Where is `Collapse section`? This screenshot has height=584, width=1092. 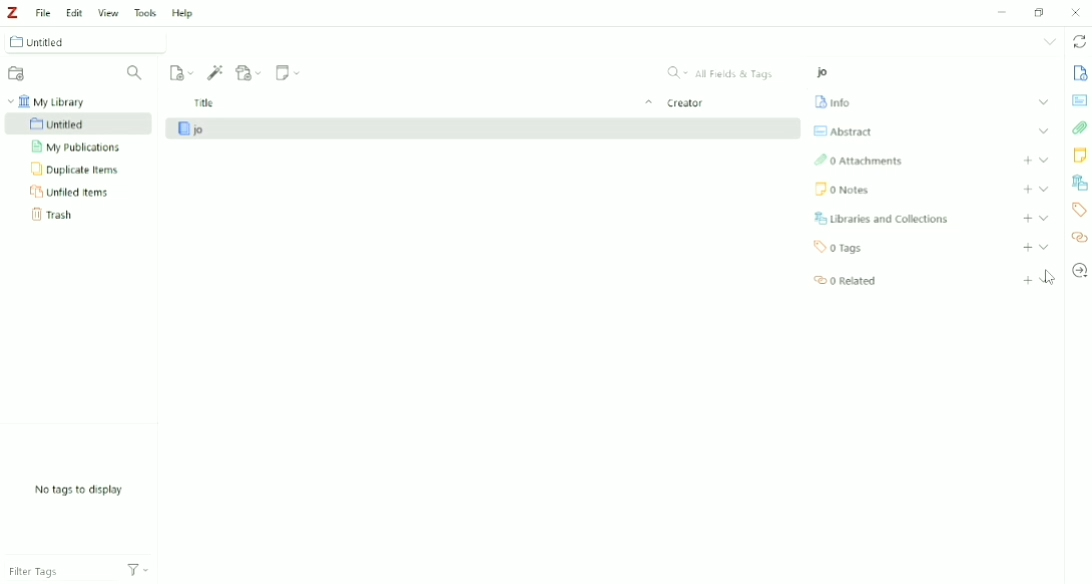 Collapse section is located at coordinates (1044, 246).